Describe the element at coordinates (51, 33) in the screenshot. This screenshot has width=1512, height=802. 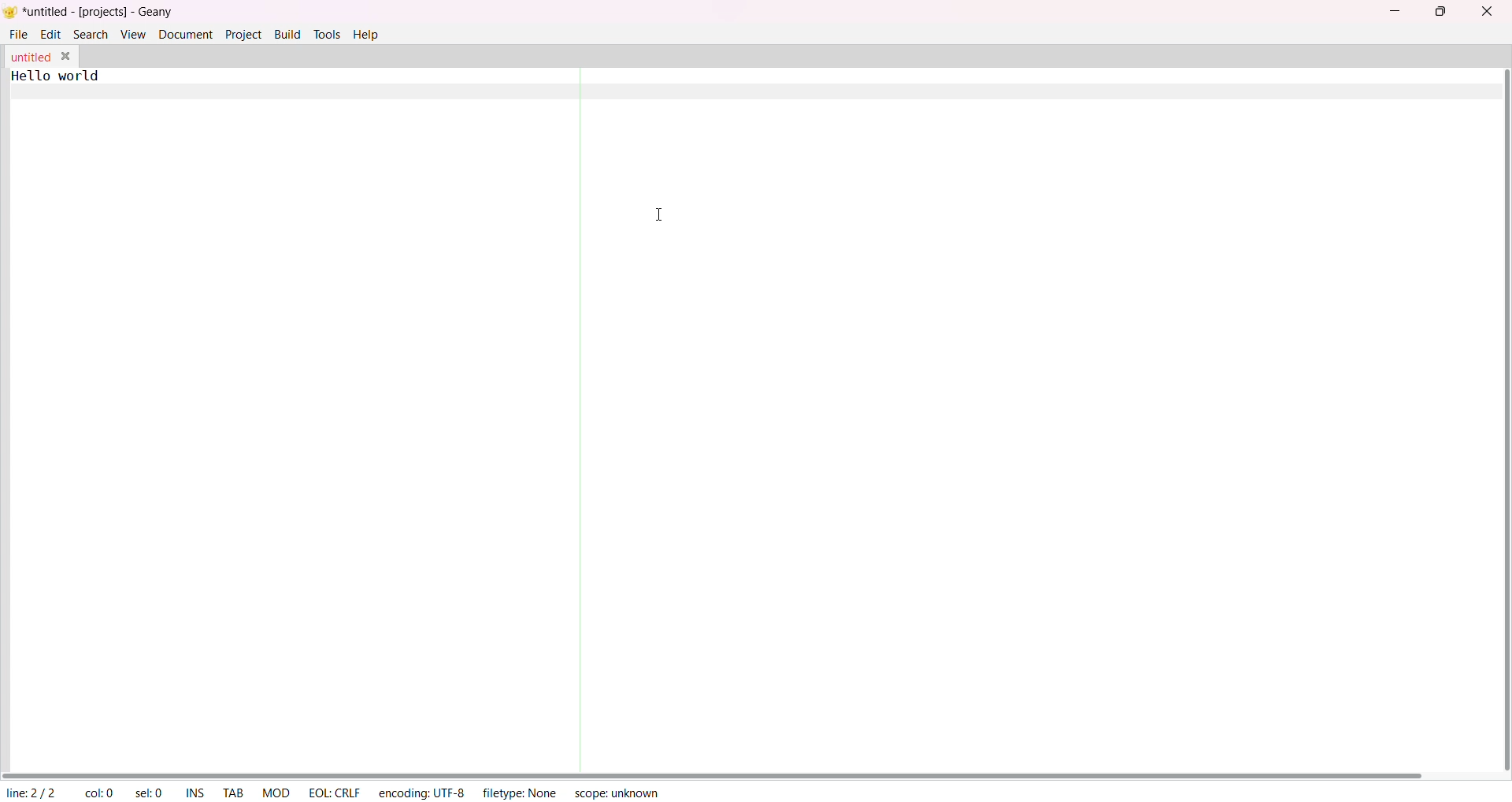
I see `edit` at that location.